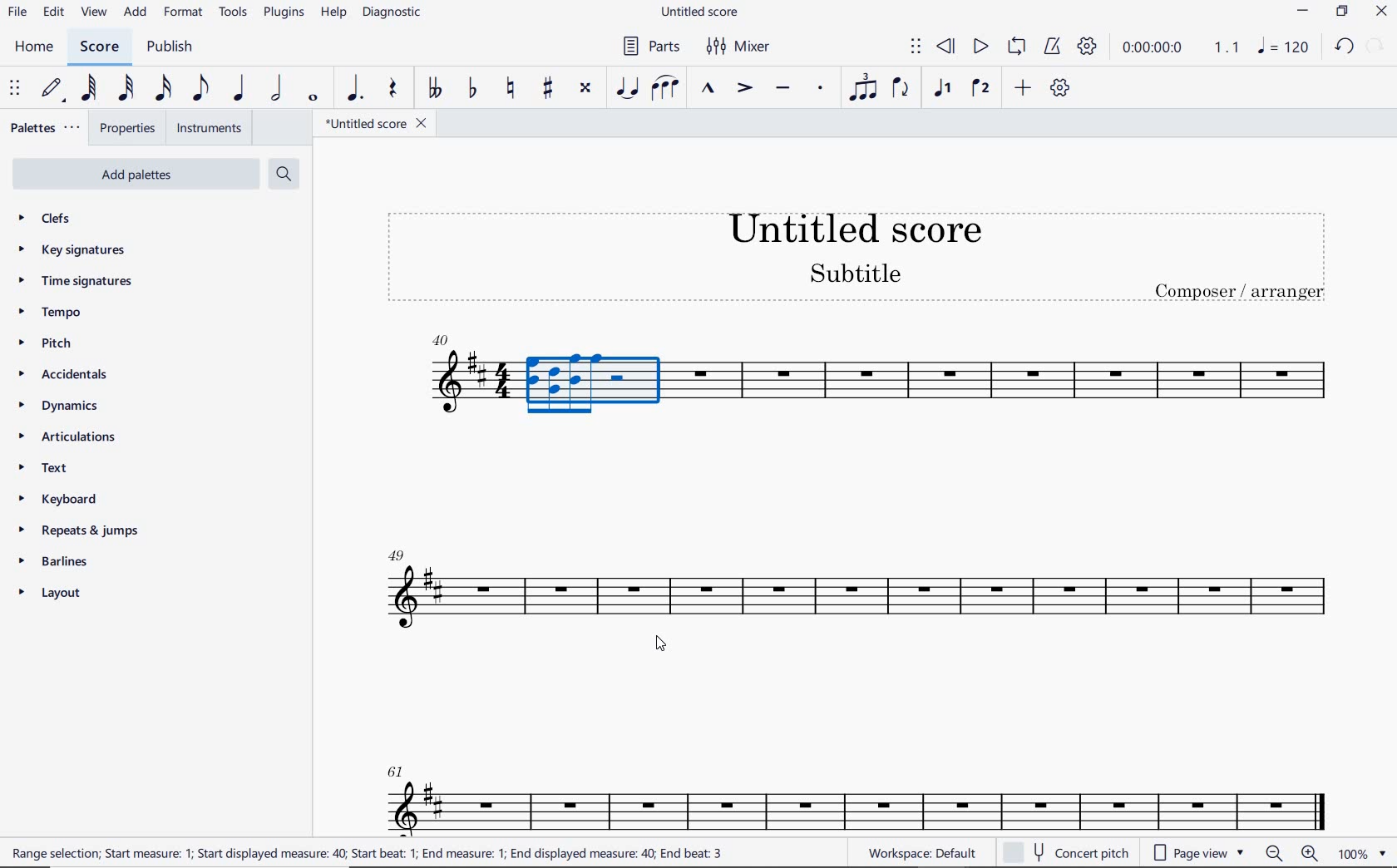 This screenshot has width=1397, height=868. I want to click on UNDO, so click(1343, 47).